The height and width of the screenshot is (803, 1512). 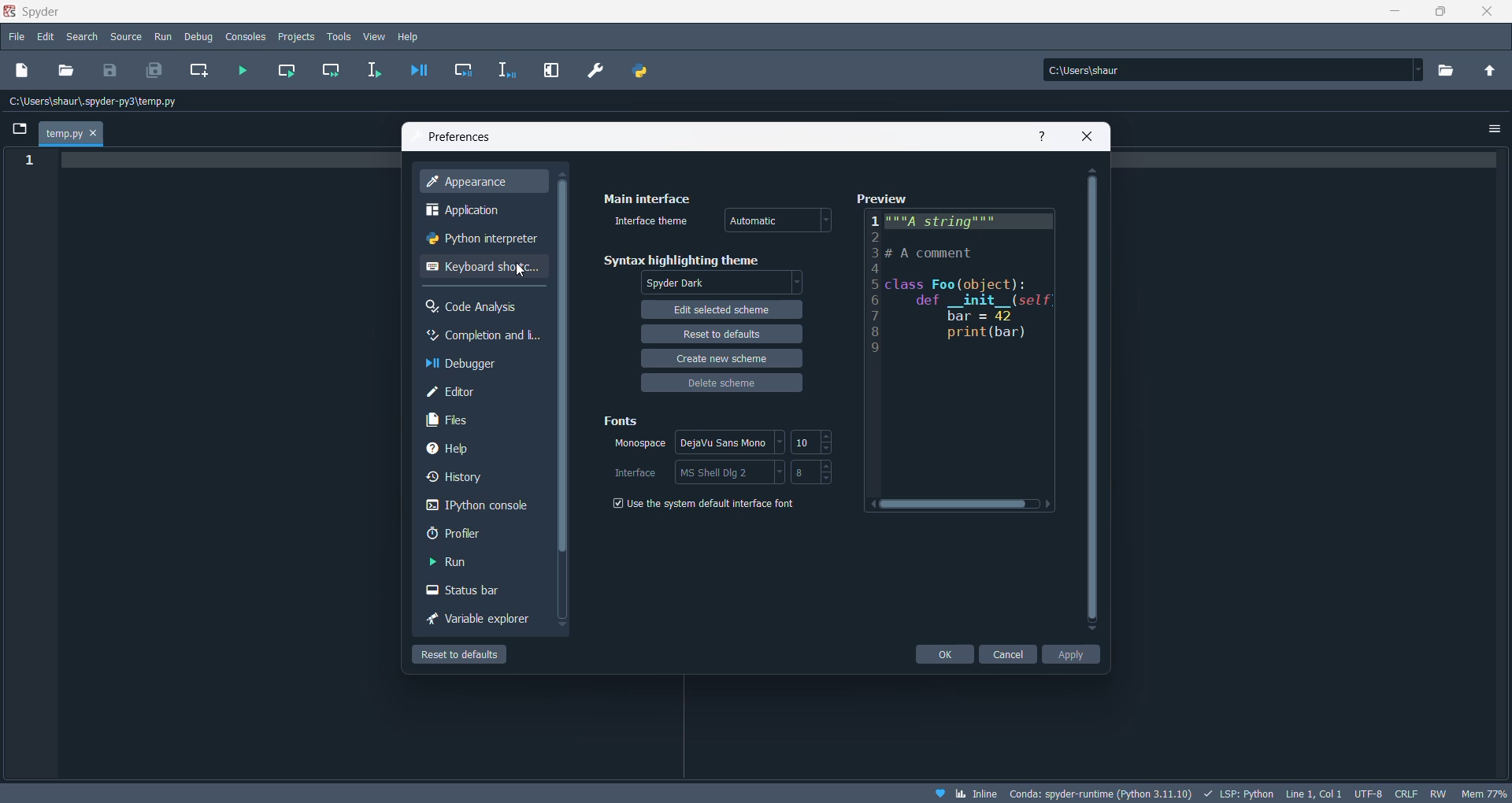 I want to click on char set, so click(x=1368, y=791).